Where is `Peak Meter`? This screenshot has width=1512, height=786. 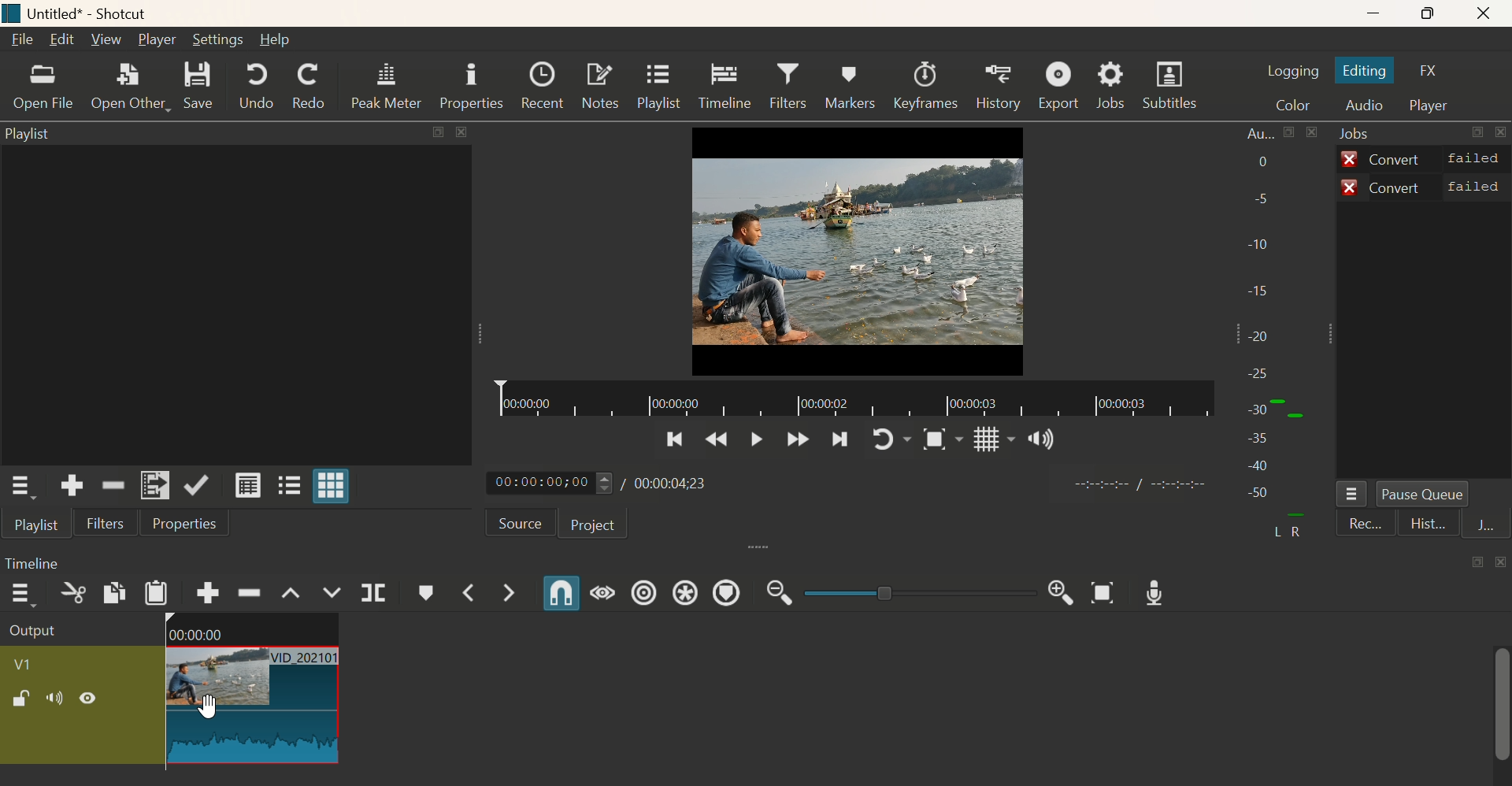 Peak Meter is located at coordinates (387, 85).